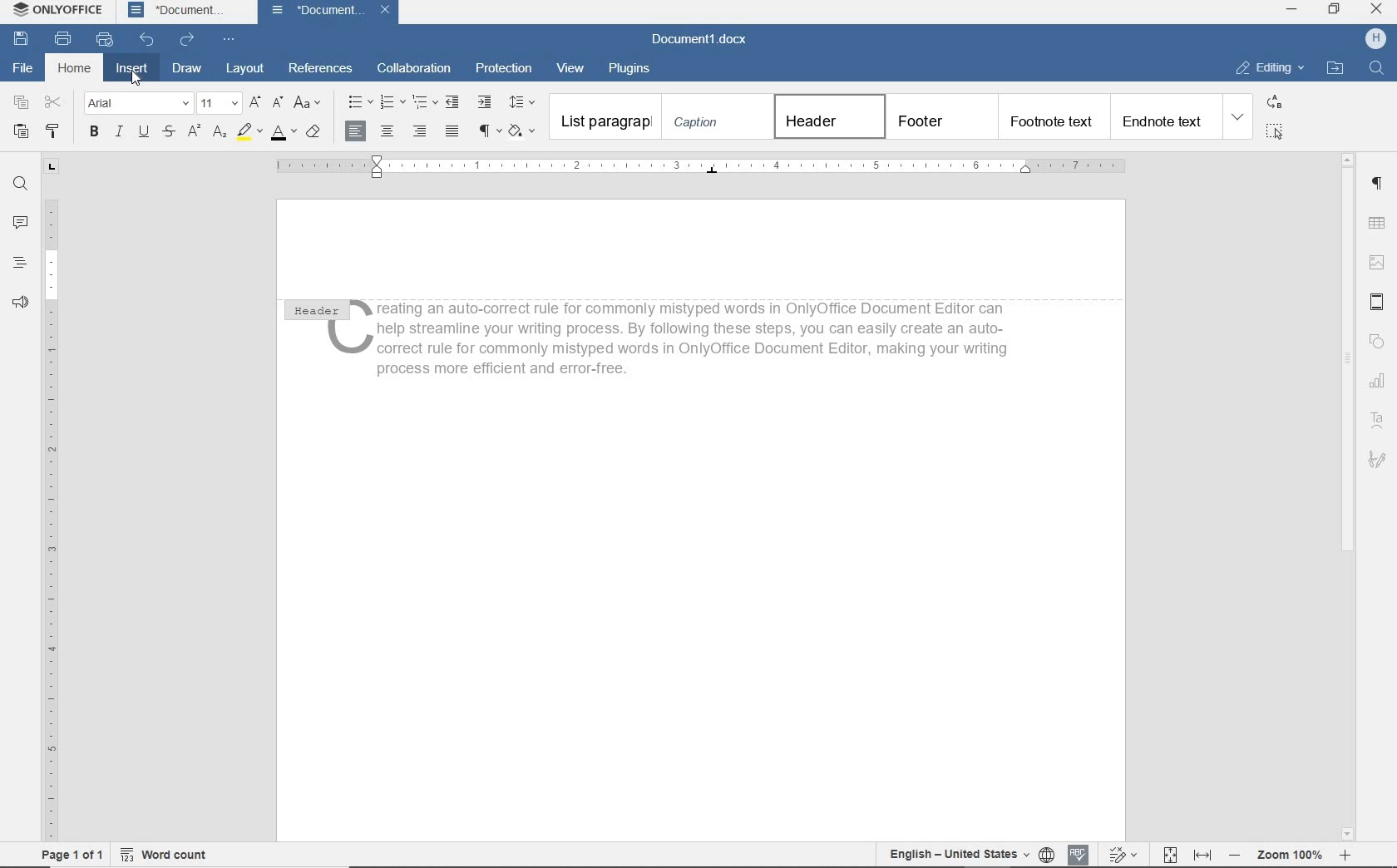  What do you see at coordinates (170, 132) in the screenshot?
I see `STRIKETHROUGH` at bounding box center [170, 132].